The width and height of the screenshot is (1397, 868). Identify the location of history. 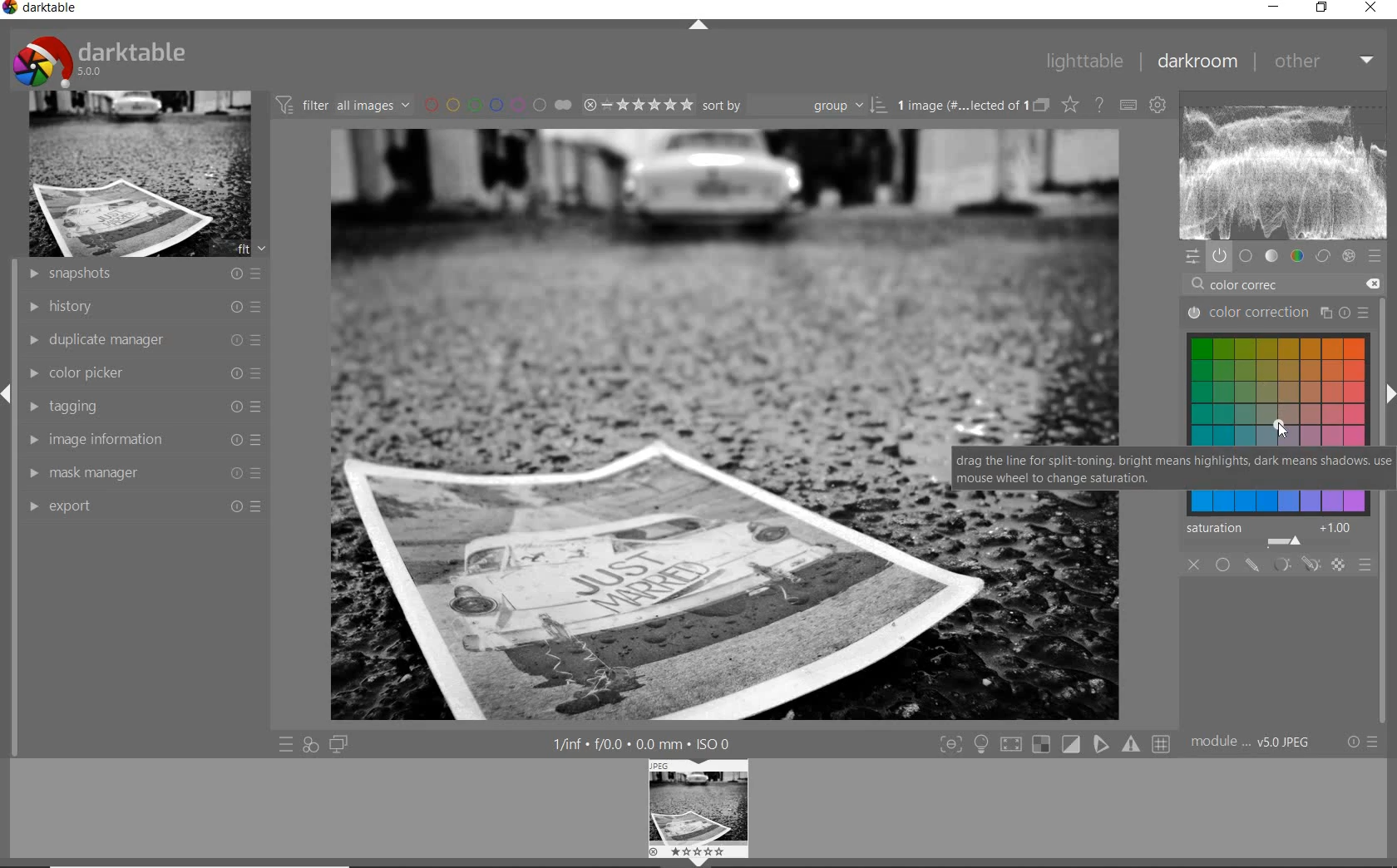
(144, 307).